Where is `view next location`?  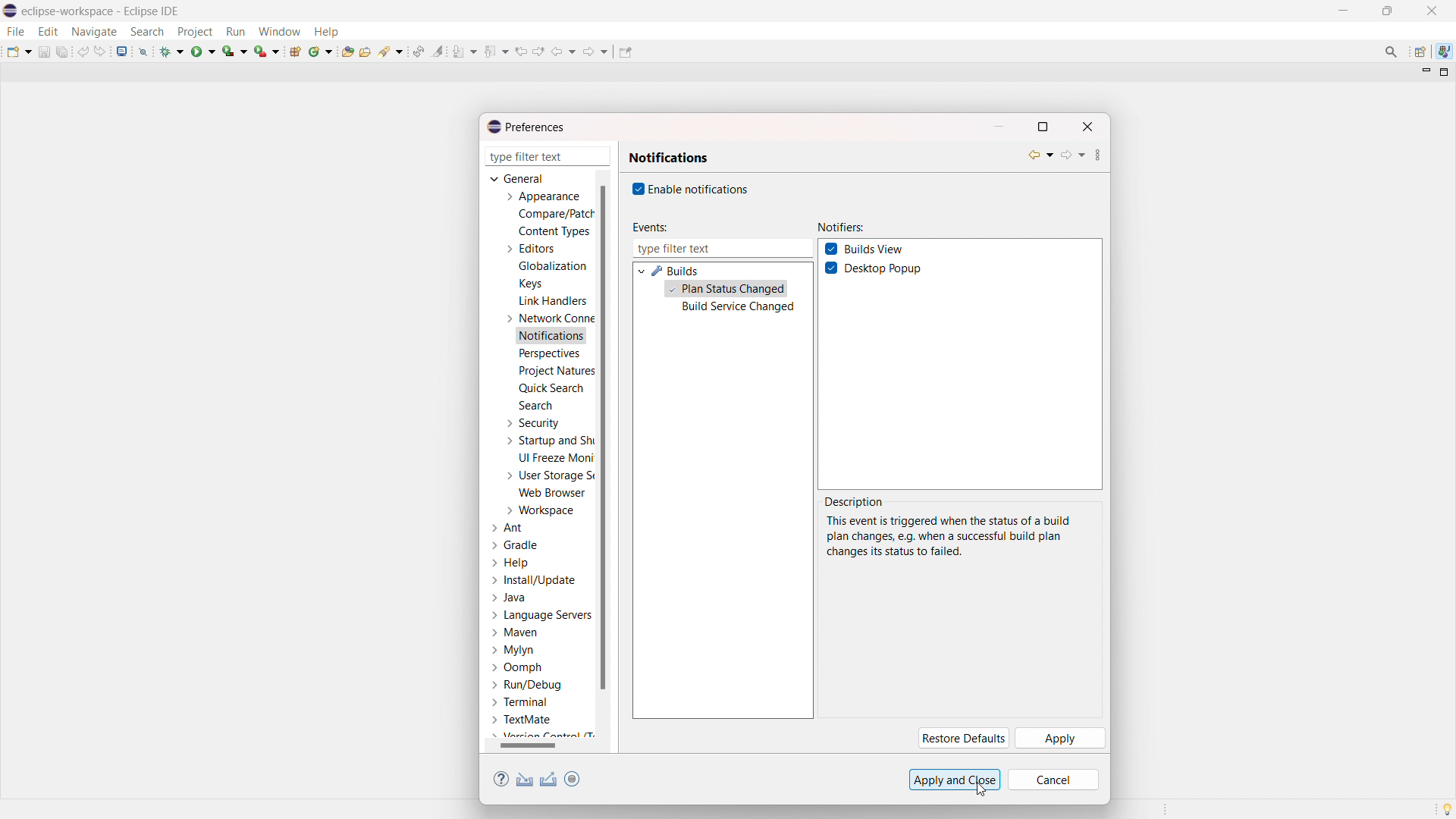 view next location is located at coordinates (538, 50).